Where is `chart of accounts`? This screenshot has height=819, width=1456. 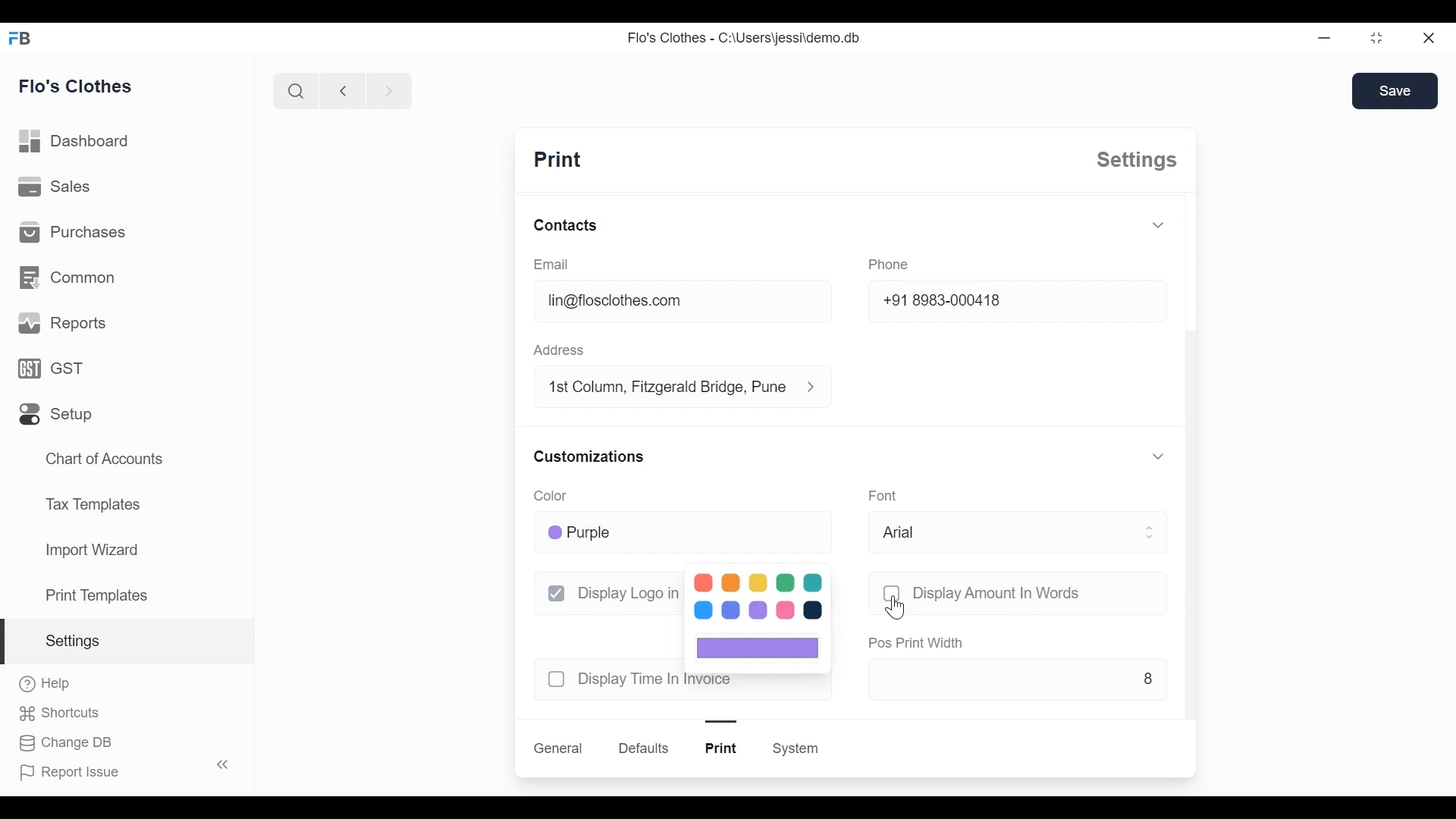
chart of accounts is located at coordinates (106, 460).